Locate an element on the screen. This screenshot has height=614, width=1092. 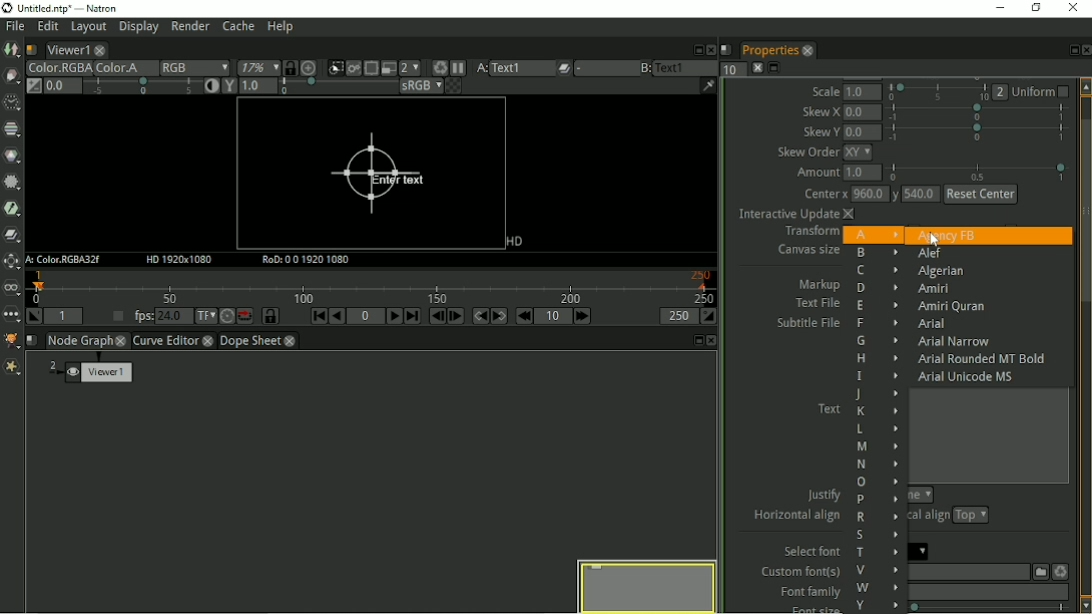
Frame increment is located at coordinates (554, 316).